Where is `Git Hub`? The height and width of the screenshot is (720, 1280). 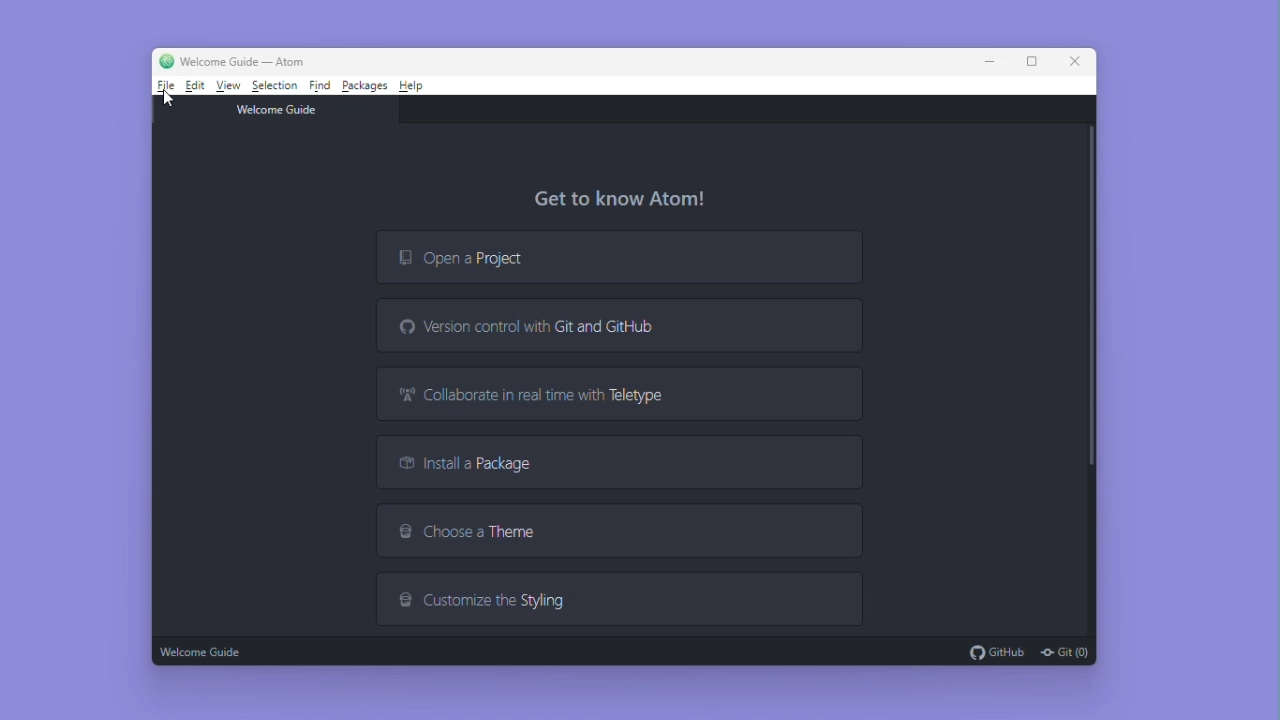
Git Hub is located at coordinates (996, 651).